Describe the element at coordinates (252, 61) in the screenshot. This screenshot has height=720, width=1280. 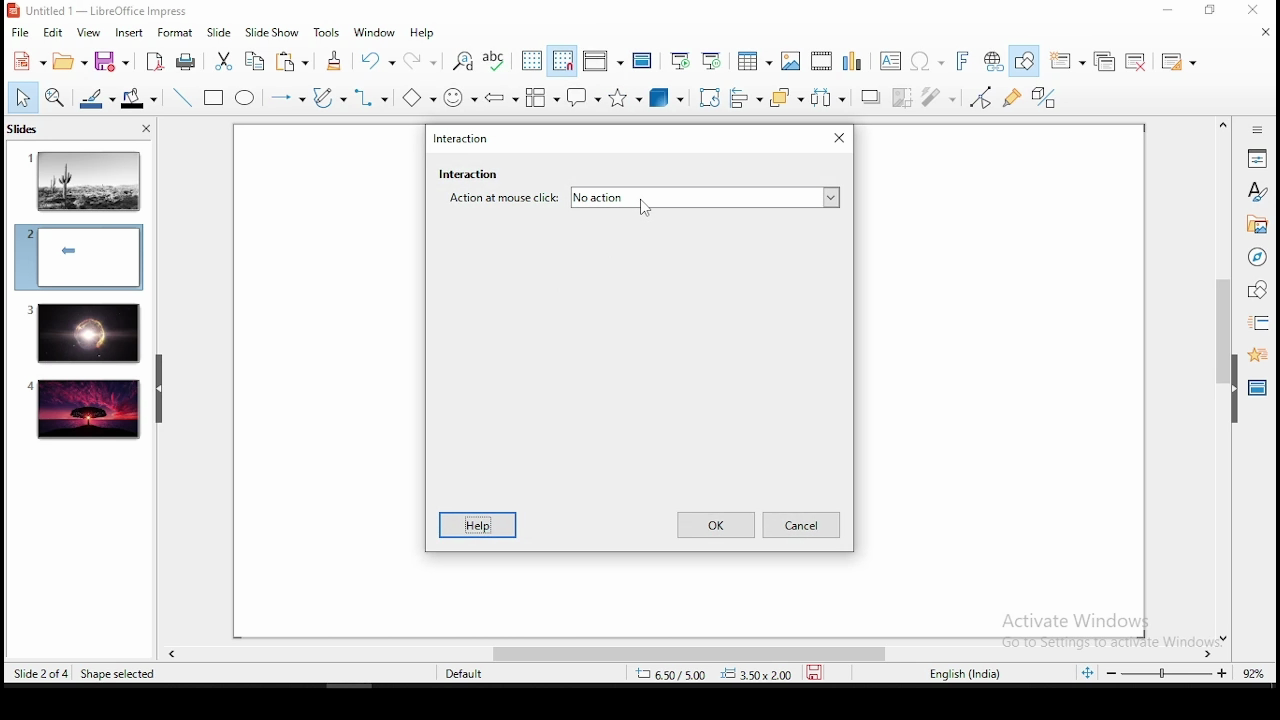
I see `copy` at that location.